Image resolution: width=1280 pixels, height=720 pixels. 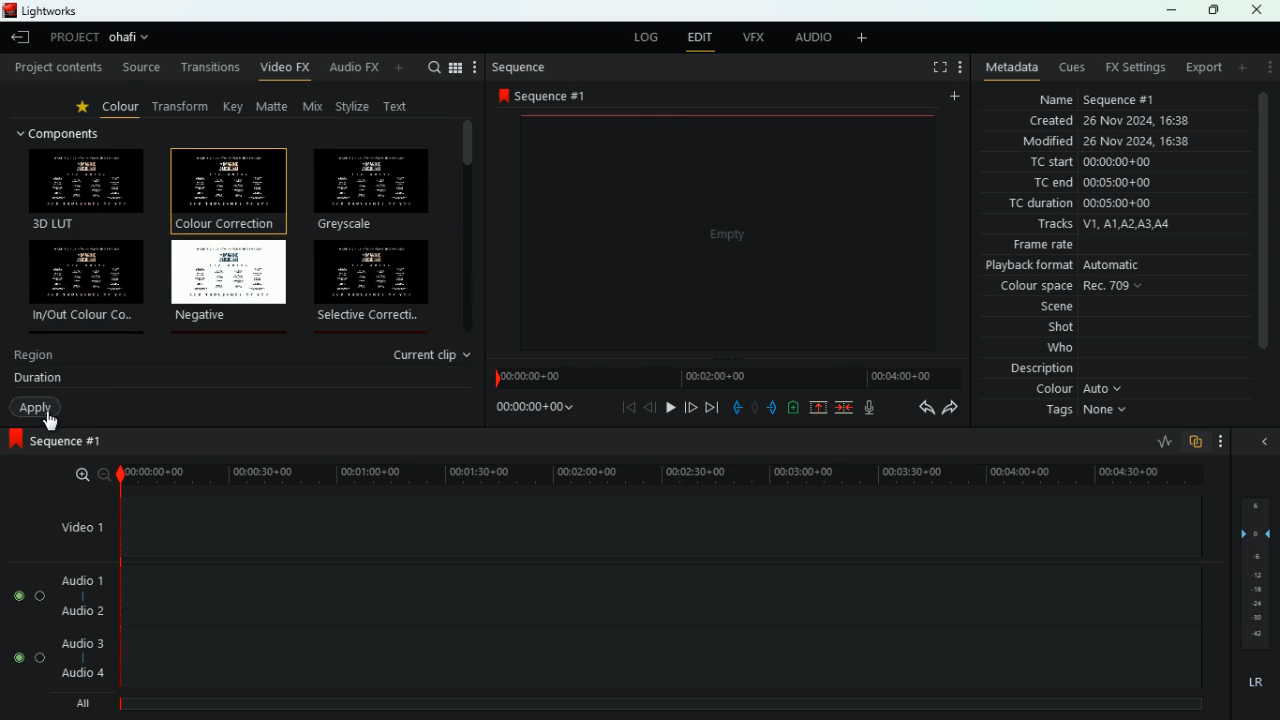 I want to click on end, so click(x=710, y=408).